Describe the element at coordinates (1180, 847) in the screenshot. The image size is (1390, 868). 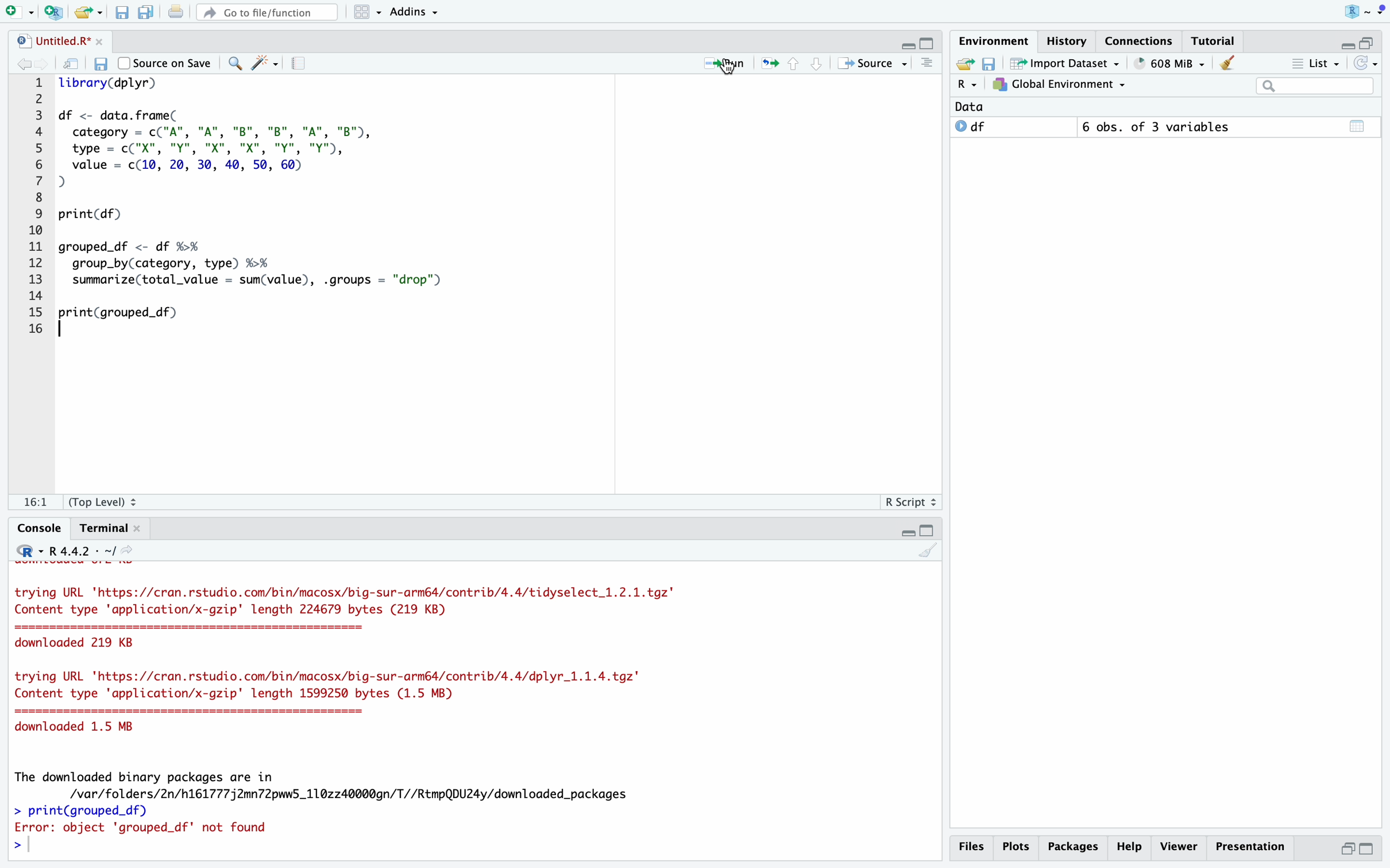
I see `Viewer` at that location.